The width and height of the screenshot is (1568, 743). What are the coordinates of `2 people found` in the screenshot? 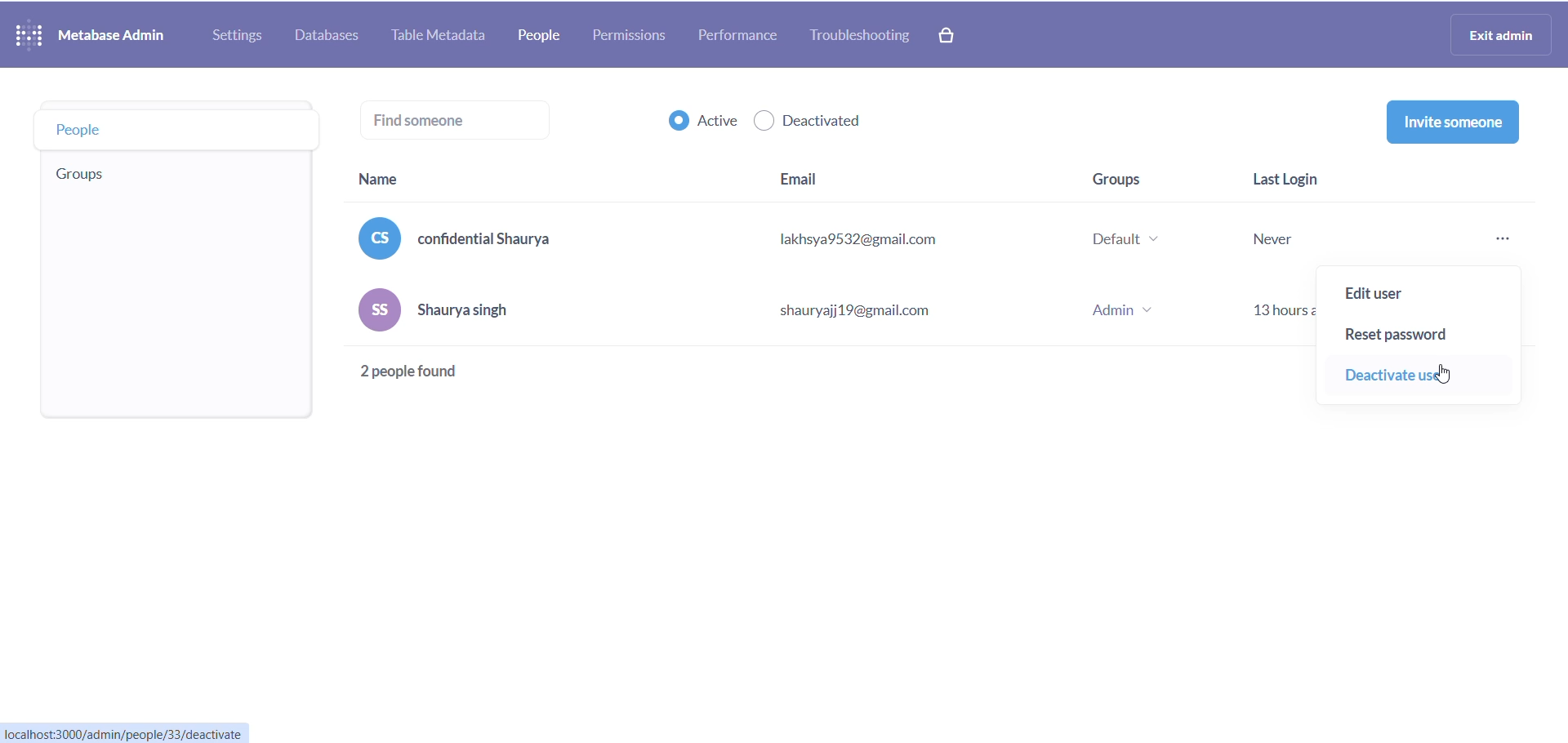 It's located at (408, 374).